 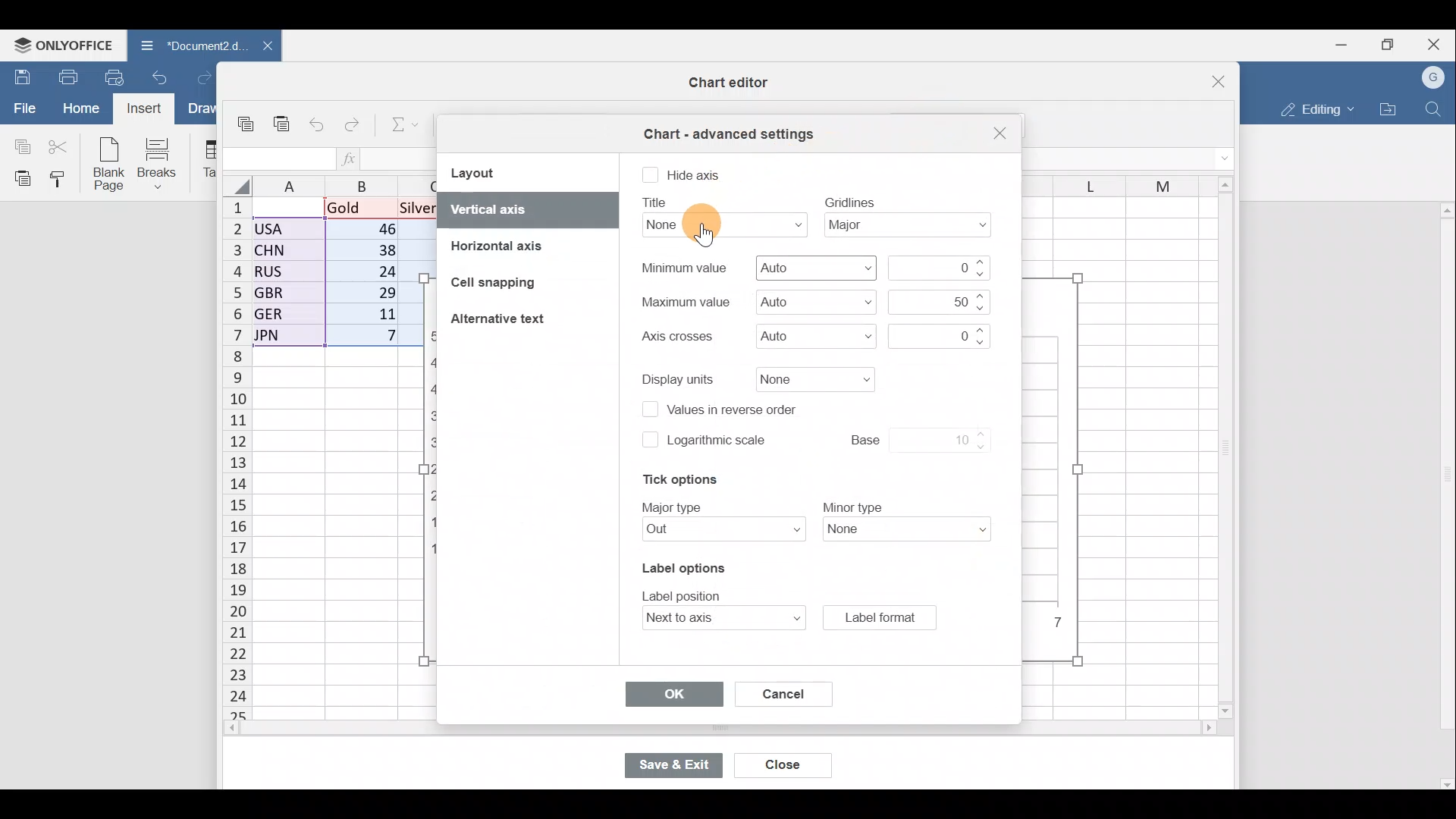 I want to click on Copy, so click(x=19, y=145).